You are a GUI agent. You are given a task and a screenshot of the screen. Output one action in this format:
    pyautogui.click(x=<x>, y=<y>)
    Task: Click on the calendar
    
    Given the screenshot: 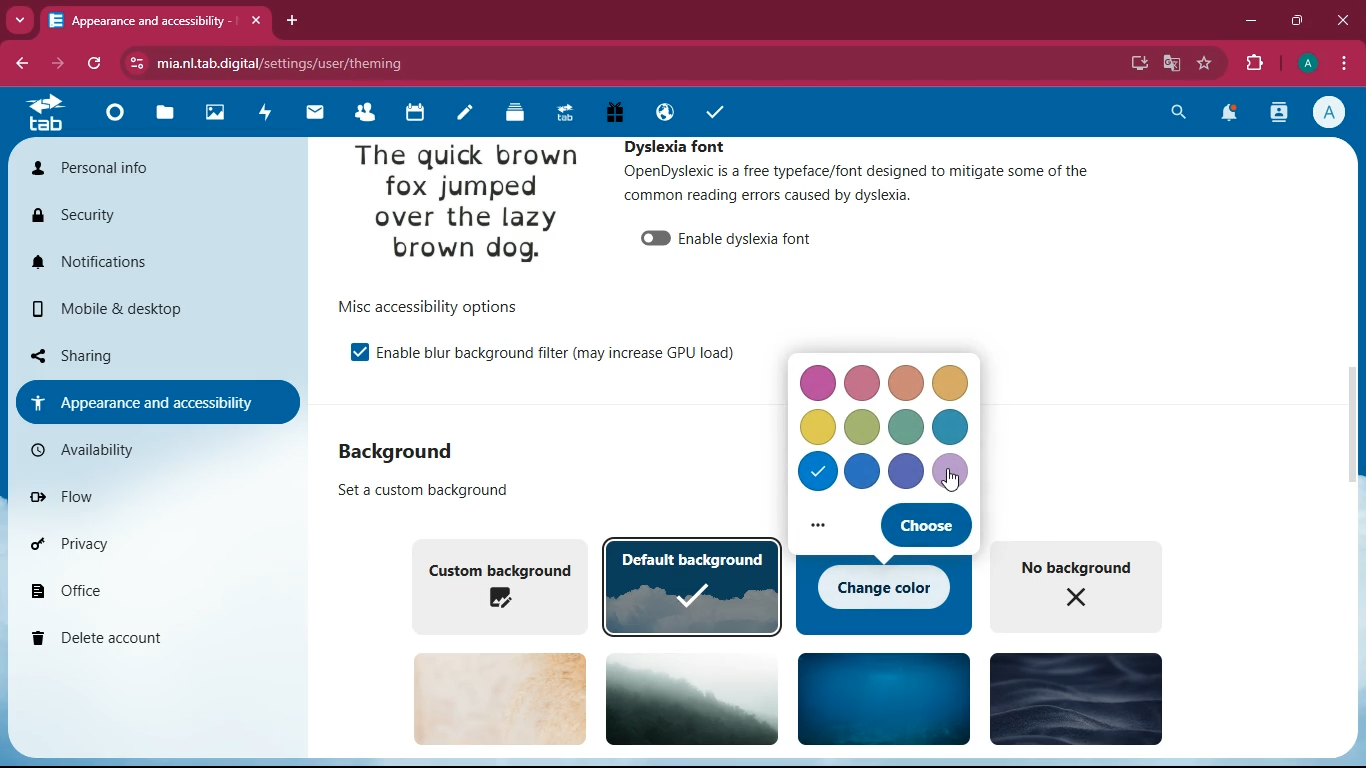 What is the action you would take?
    pyautogui.click(x=412, y=113)
    